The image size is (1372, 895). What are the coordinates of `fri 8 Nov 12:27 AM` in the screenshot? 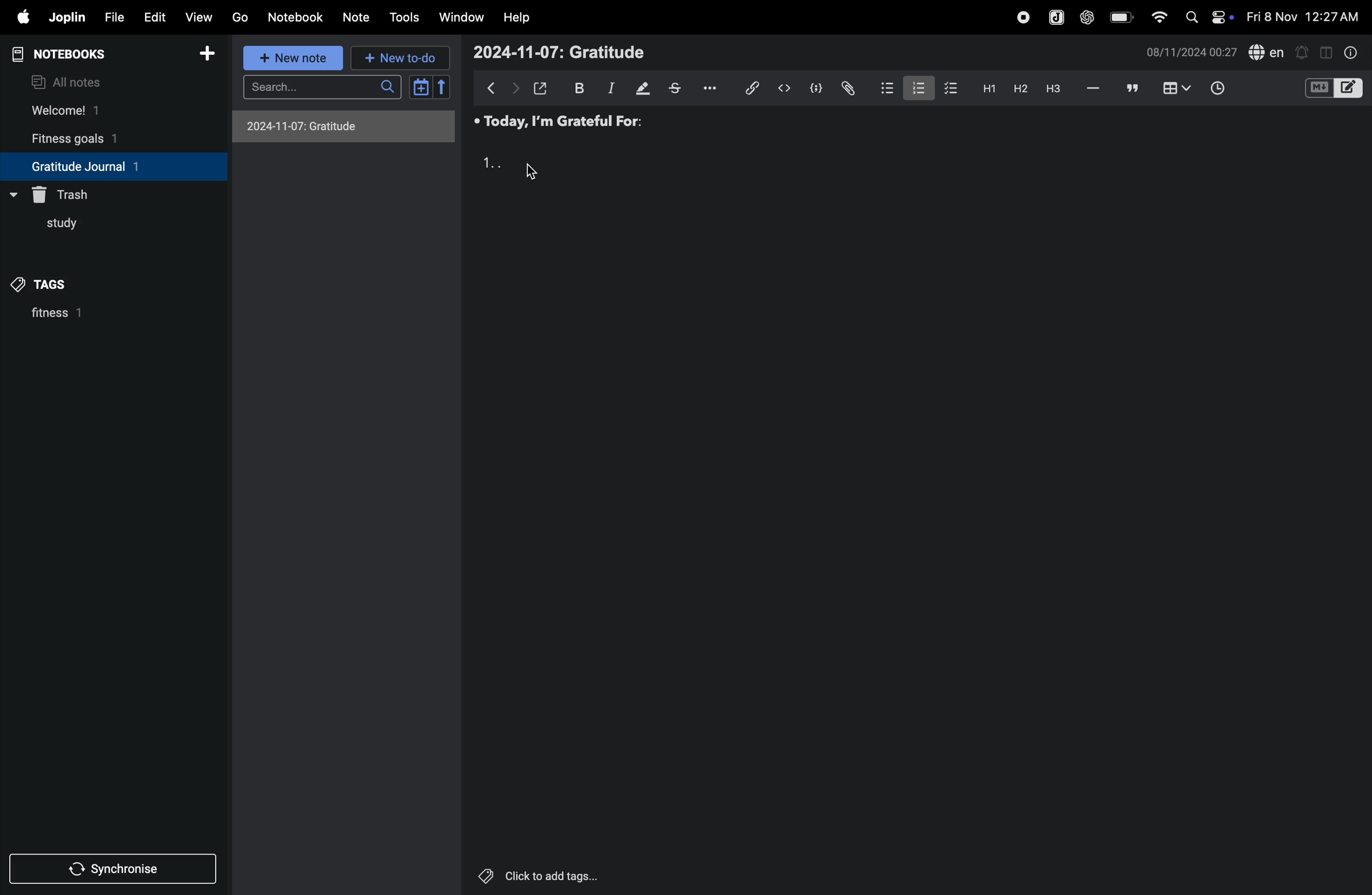 It's located at (1305, 14).